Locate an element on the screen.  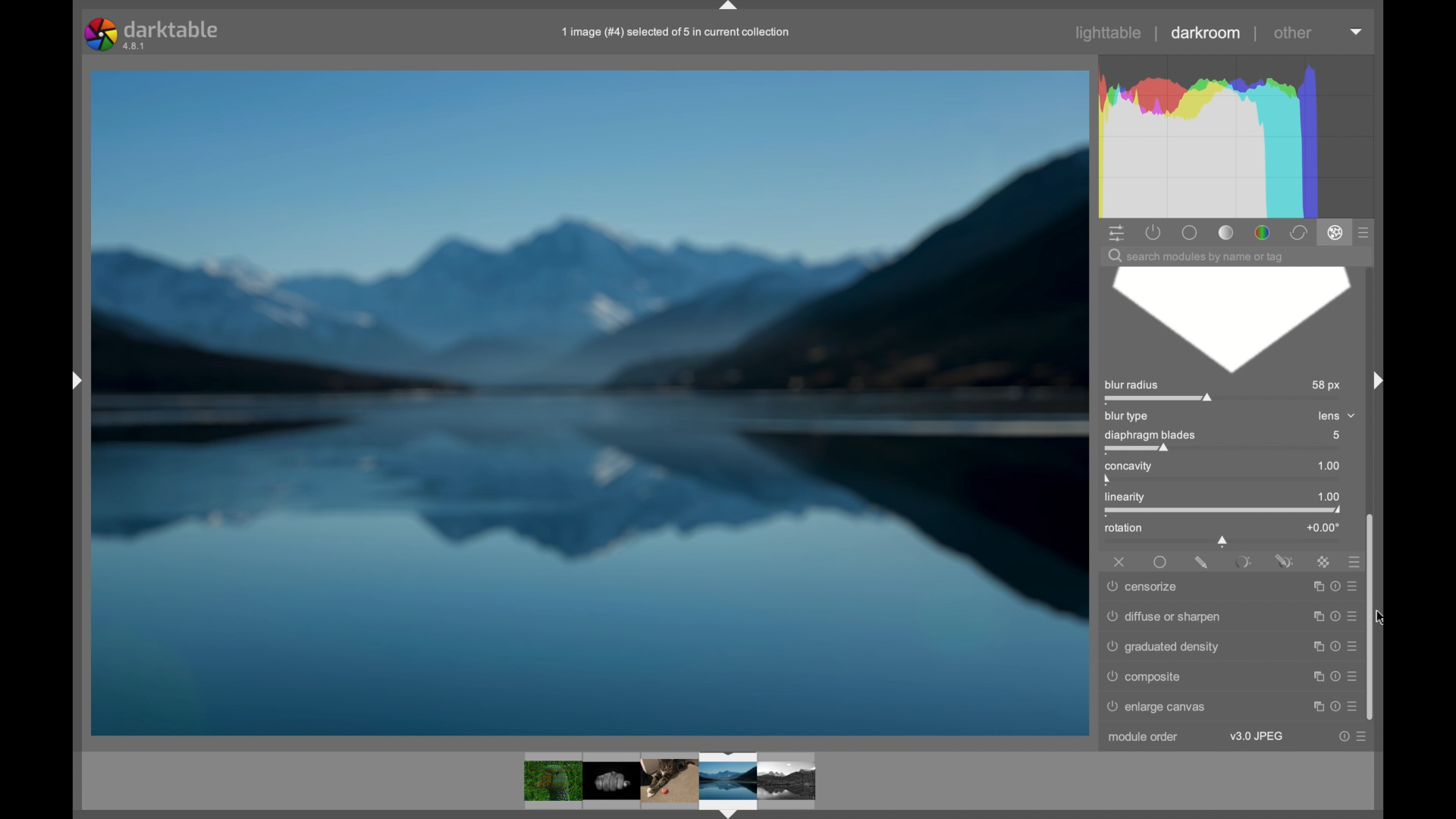
drag handle is located at coordinates (1374, 379).